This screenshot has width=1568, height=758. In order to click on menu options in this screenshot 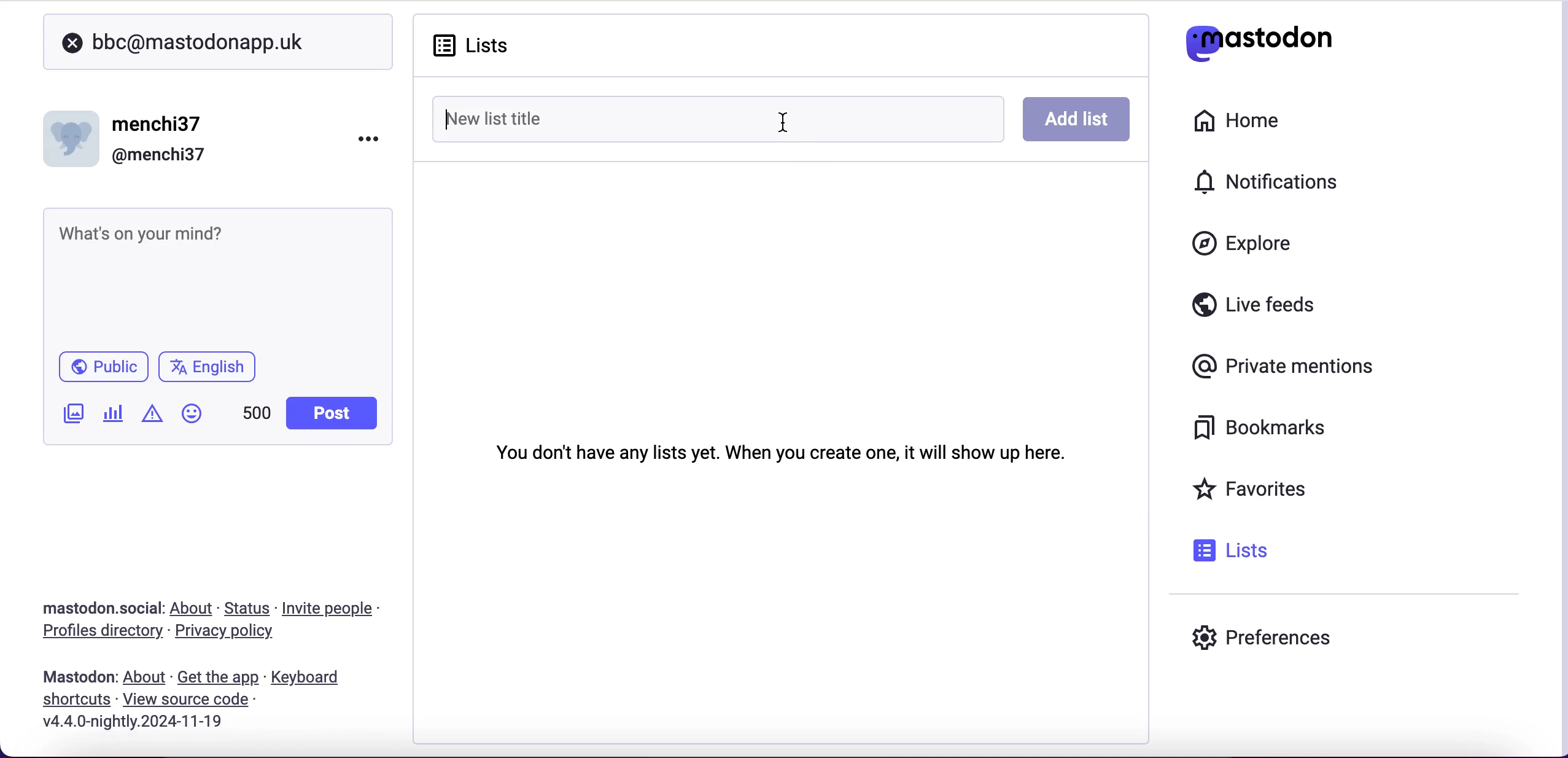, I will do `click(373, 138)`.